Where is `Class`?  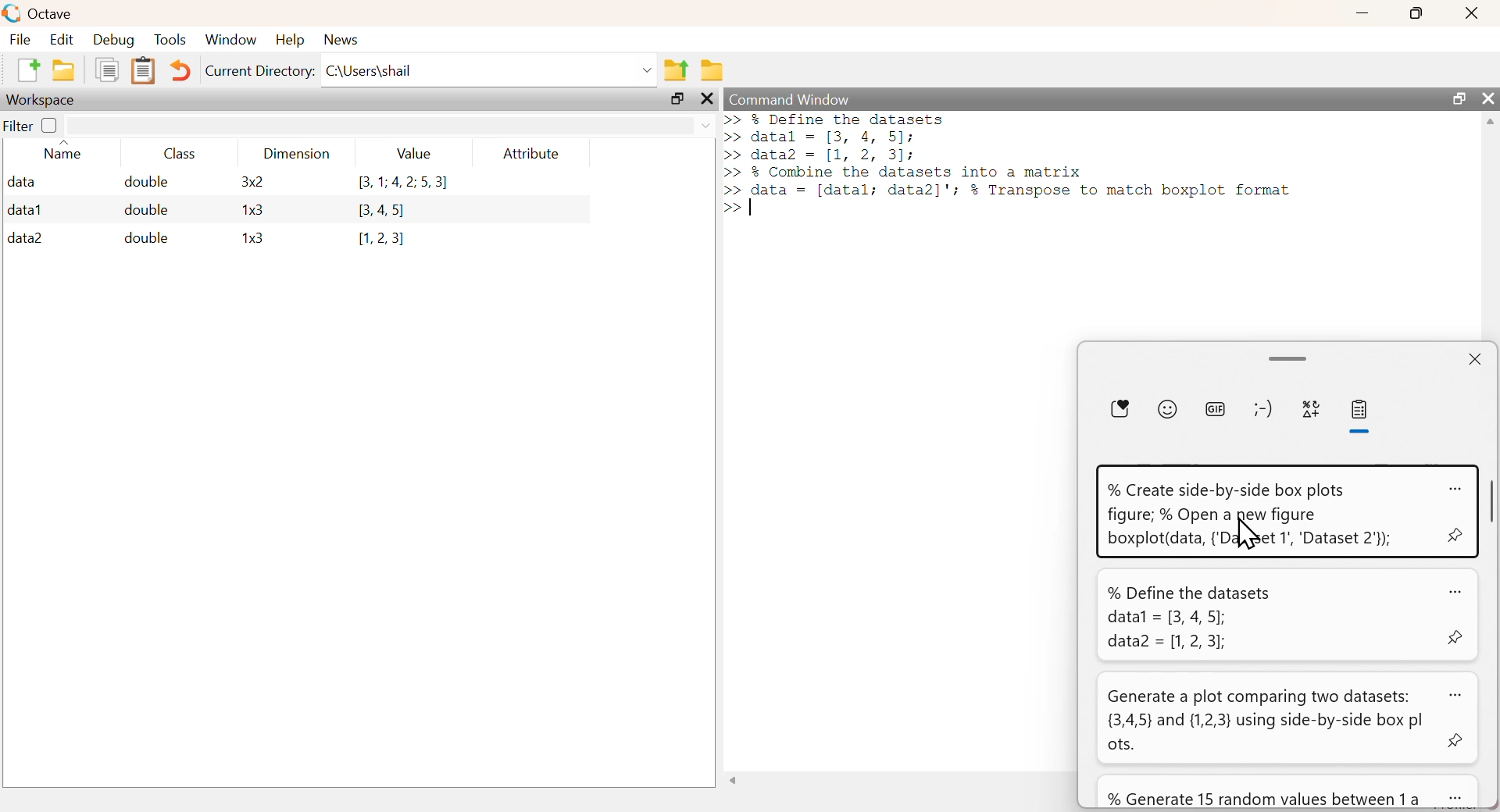
Class is located at coordinates (184, 154).